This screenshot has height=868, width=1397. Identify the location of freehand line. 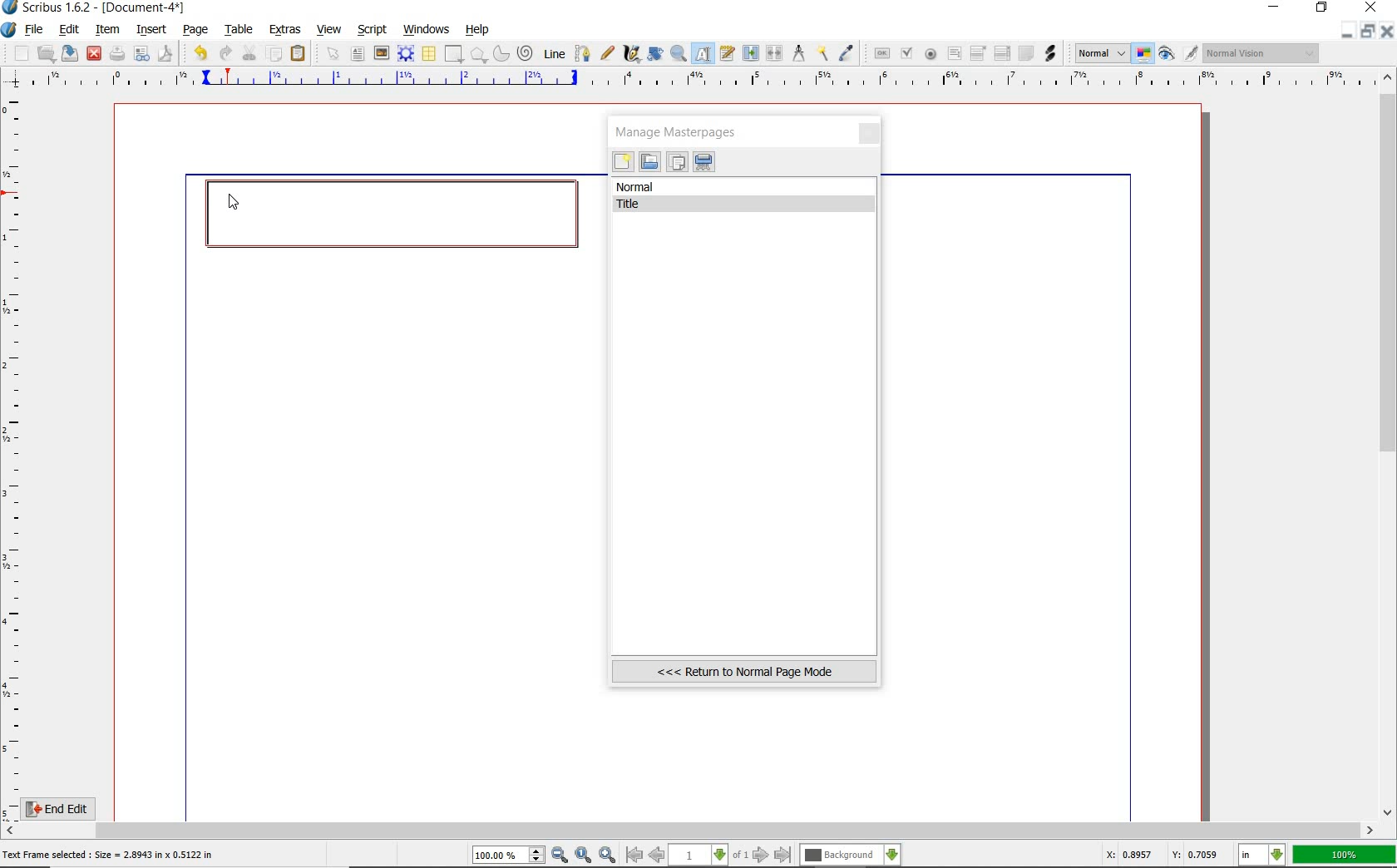
(605, 54).